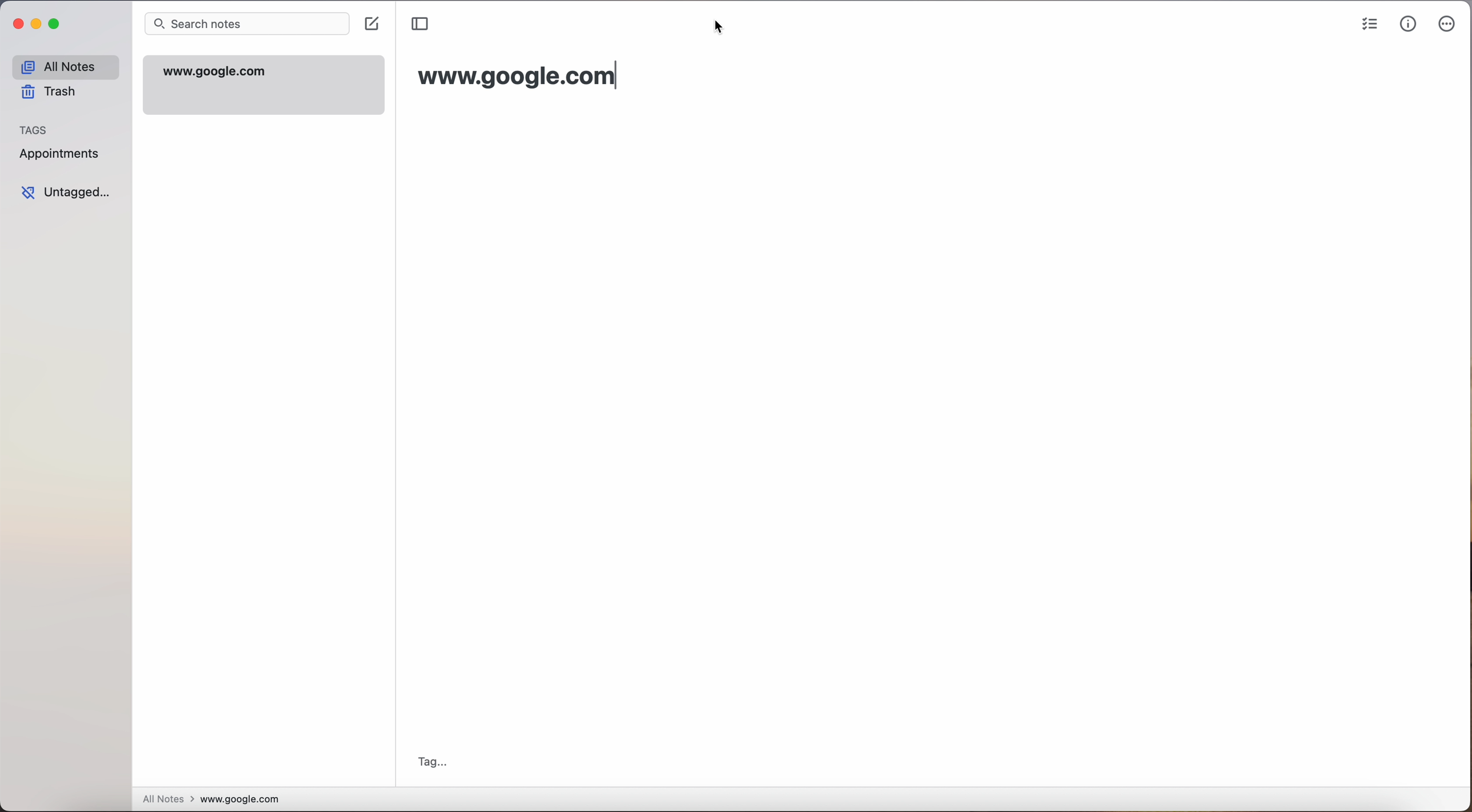 The width and height of the screenshot is (1472, 812). Describe the element at coordinates (514, 75) in the screenshot. I see `WWW.ggogle .com` at that location.